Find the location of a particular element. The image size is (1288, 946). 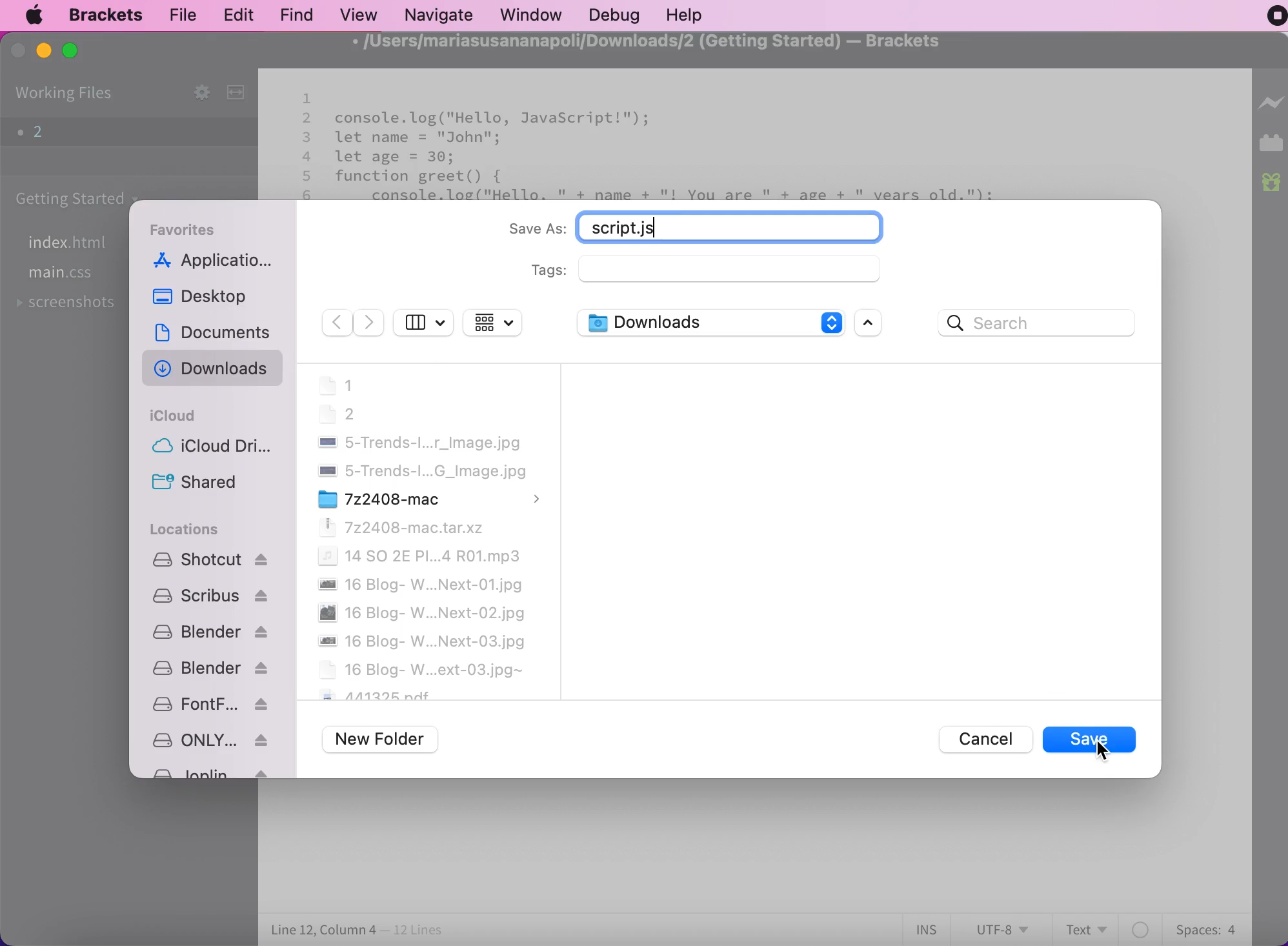

ins is located at coordinates (928, 930).